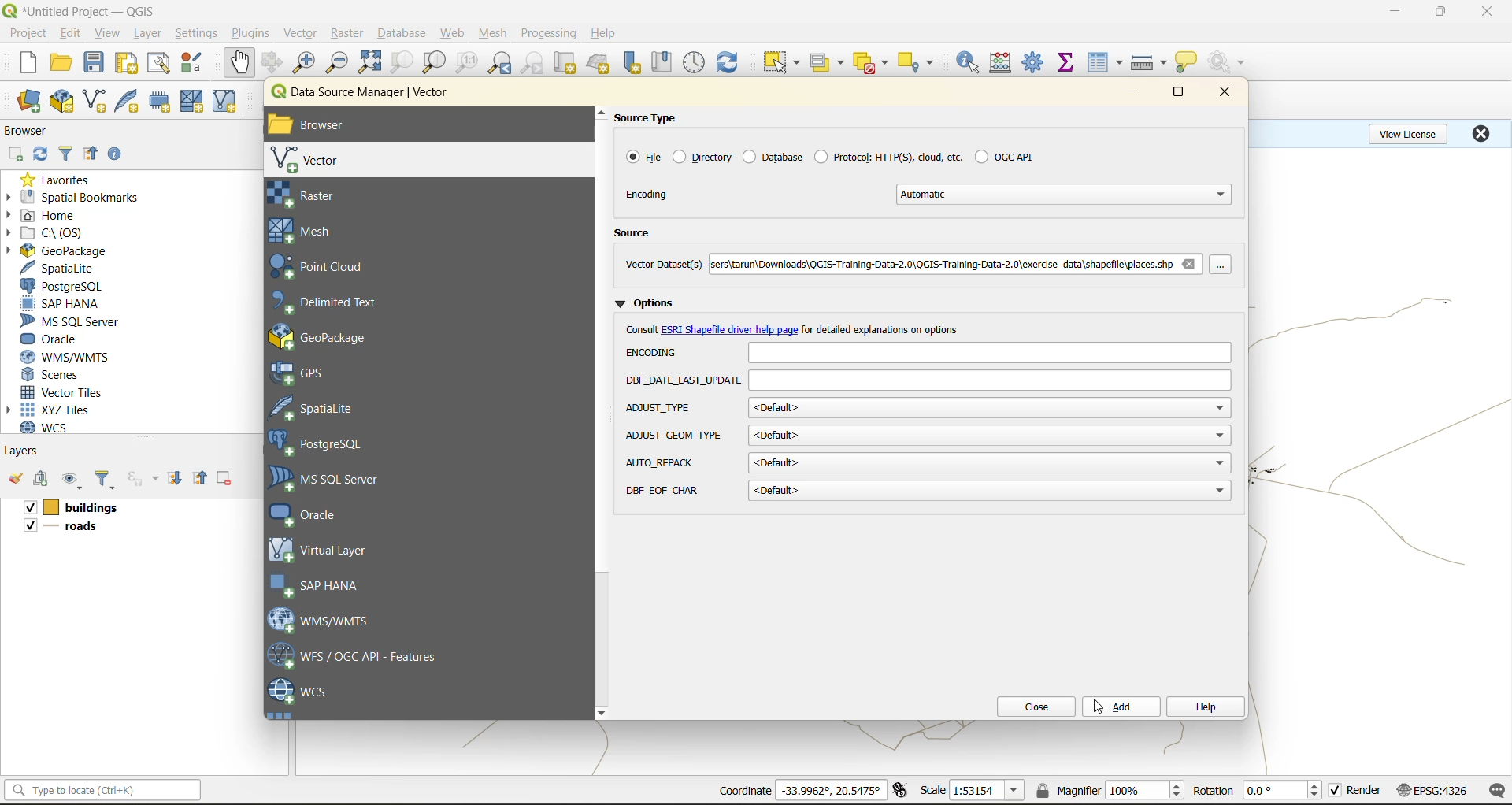 This screenshot has width=1512, height=805. What do you see at coordinates (973, 62) in the screenshot?
I see `identify features` at bounding box center [973, 62].